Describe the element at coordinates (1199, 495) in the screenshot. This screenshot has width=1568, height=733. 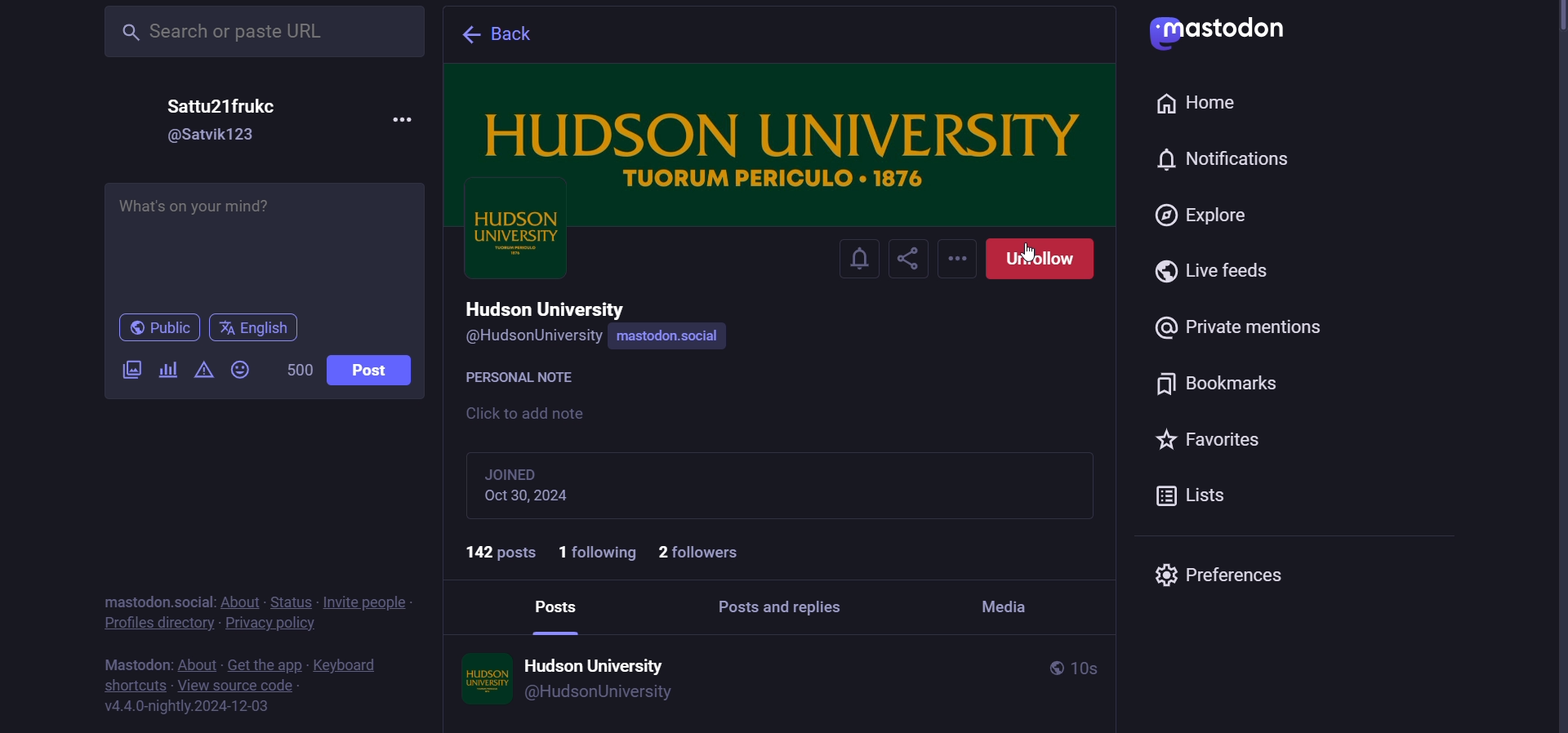
I see `lists` at that location.